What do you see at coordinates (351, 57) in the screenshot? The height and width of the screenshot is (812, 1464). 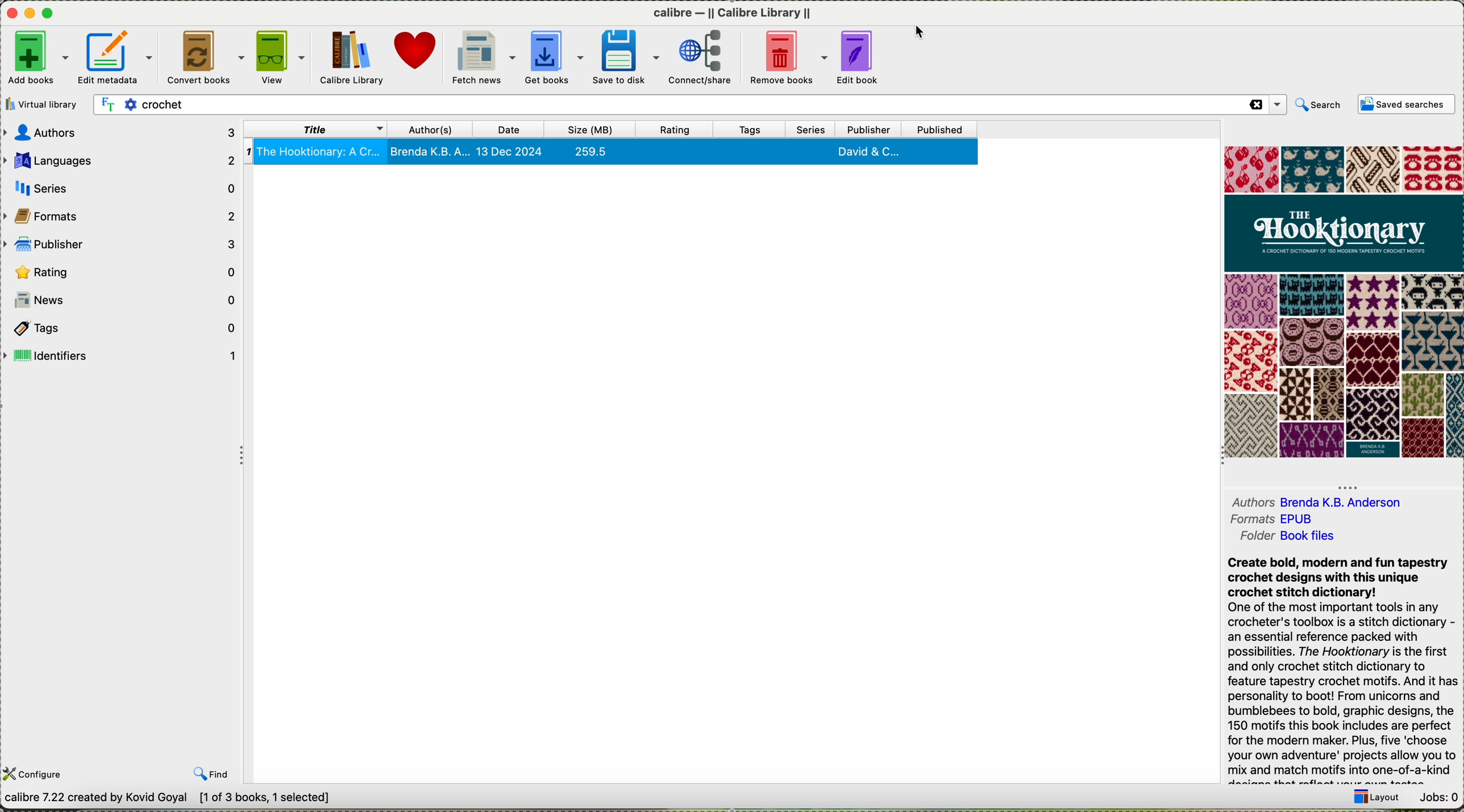 I see `Calibre library` at bounding box center [351, 57].